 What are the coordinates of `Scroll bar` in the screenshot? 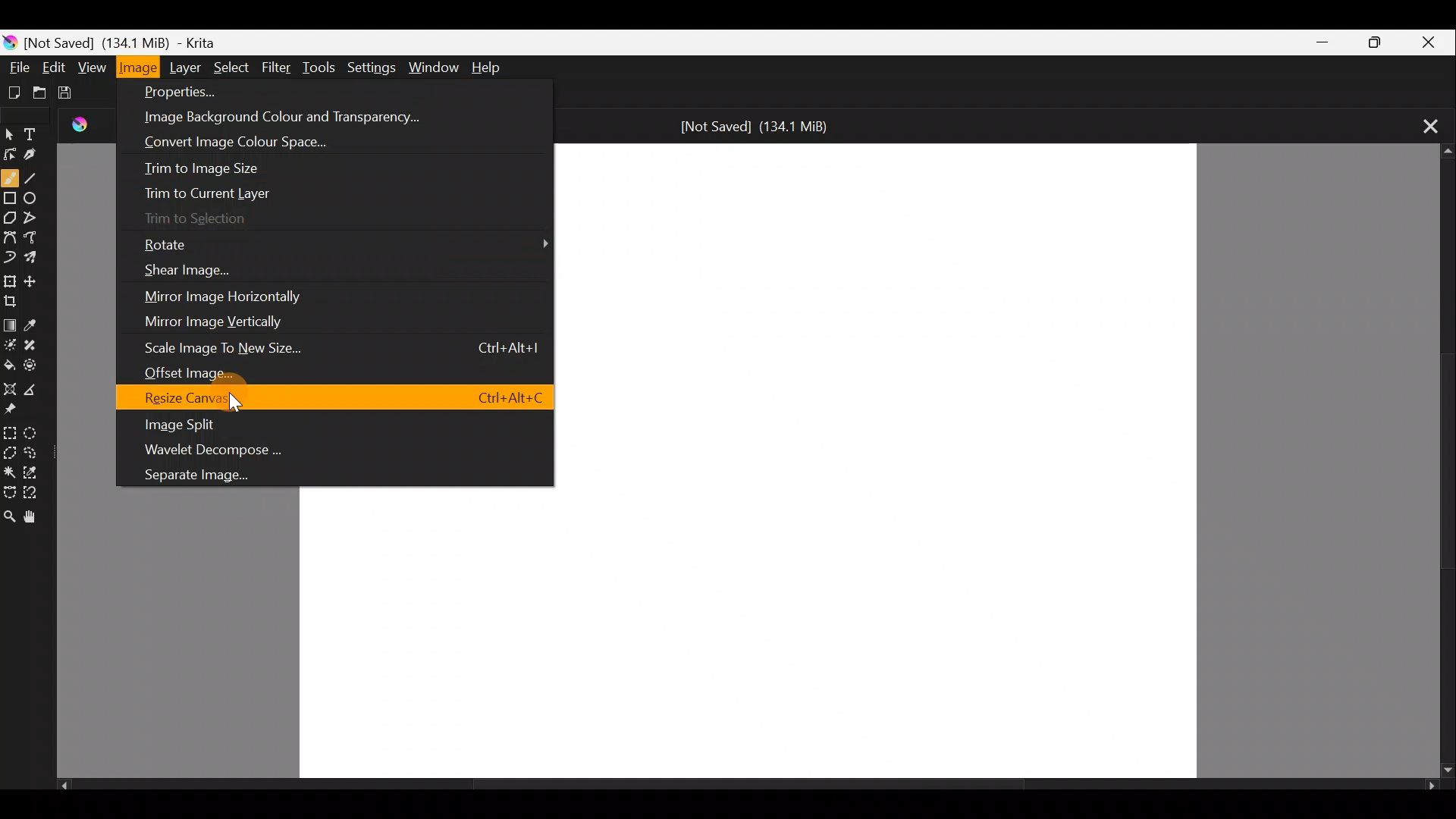 It's located at (748, 789).